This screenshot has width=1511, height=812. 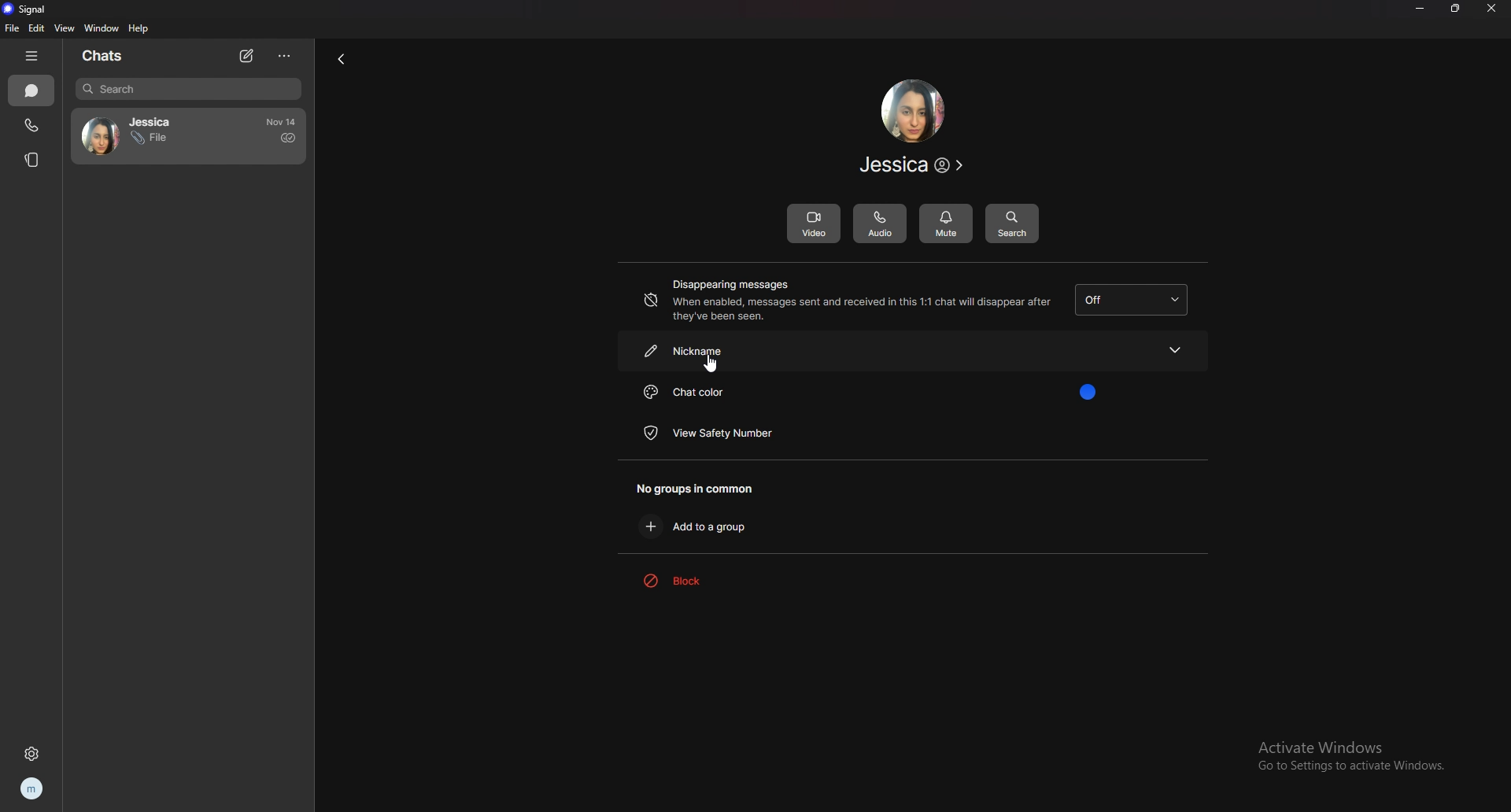 What do you see at coordinates (1494, 9) in the screenshot?
I see `close` at bounding box center [1494, 9].